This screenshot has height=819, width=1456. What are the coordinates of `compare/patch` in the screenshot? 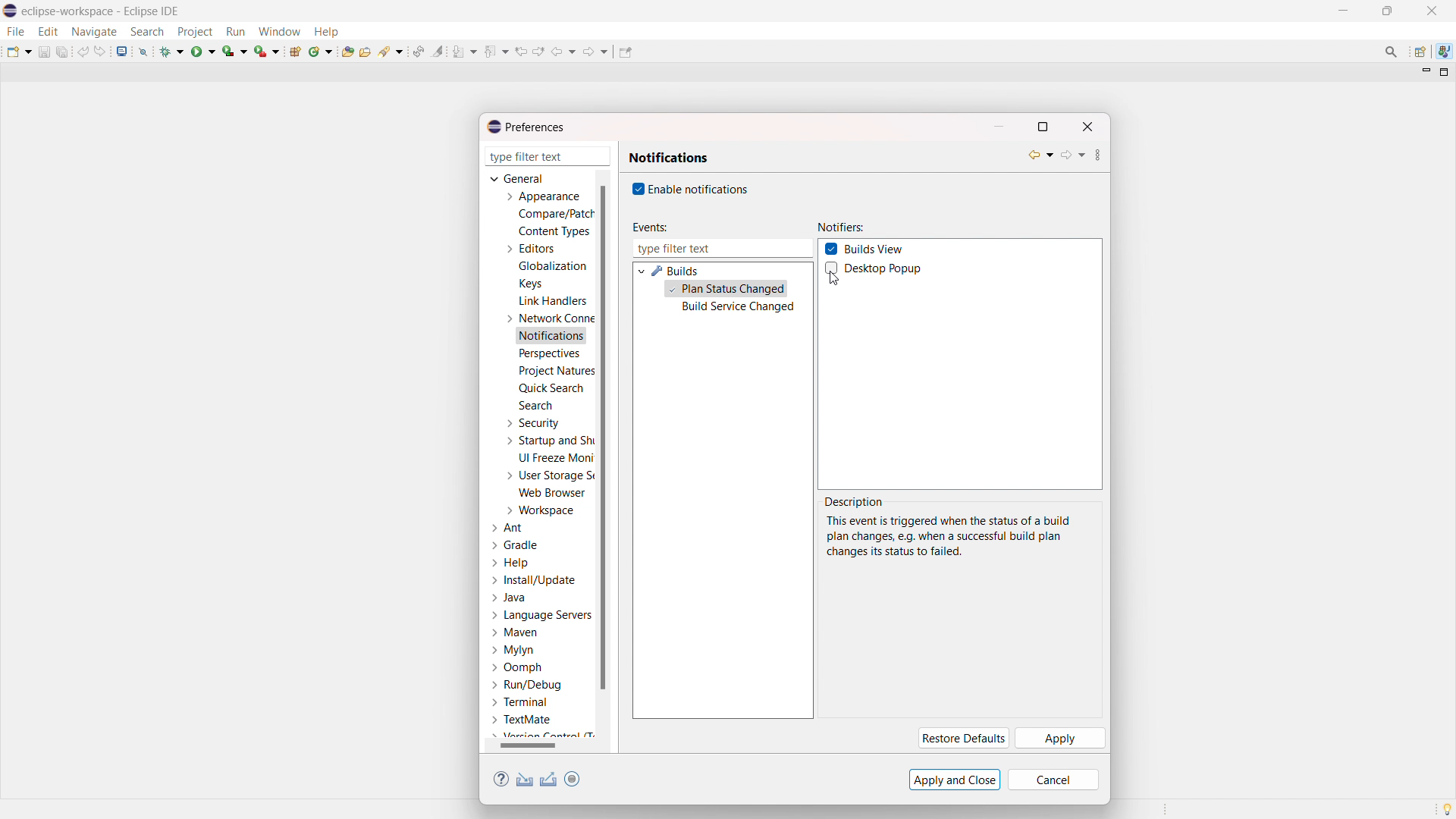 It's located at (553, 215).